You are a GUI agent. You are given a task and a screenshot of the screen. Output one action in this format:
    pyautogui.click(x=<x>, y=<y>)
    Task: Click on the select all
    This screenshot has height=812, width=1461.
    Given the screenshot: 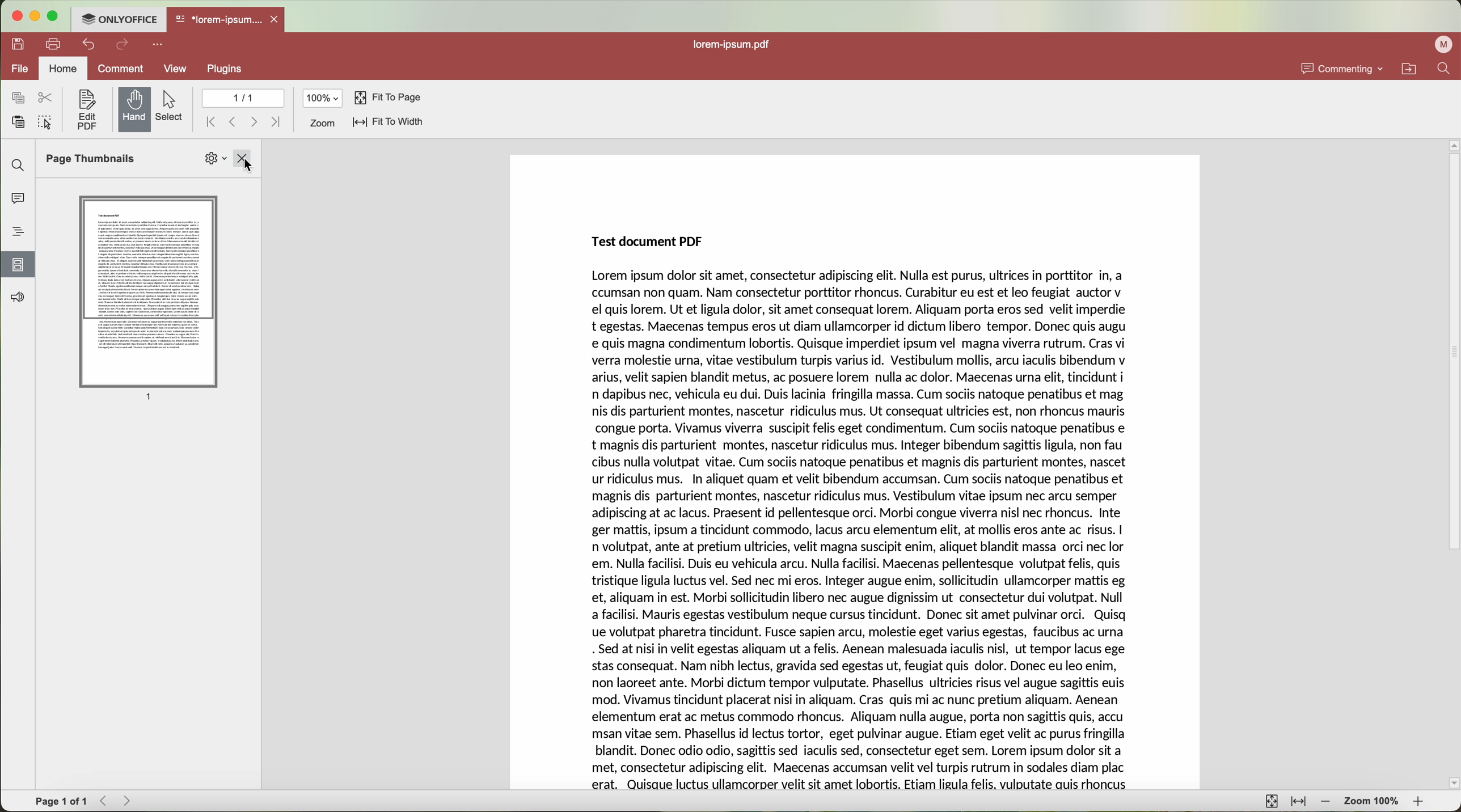 What is the action you would take?
    pyautogui.click(x=44, y=123)
    